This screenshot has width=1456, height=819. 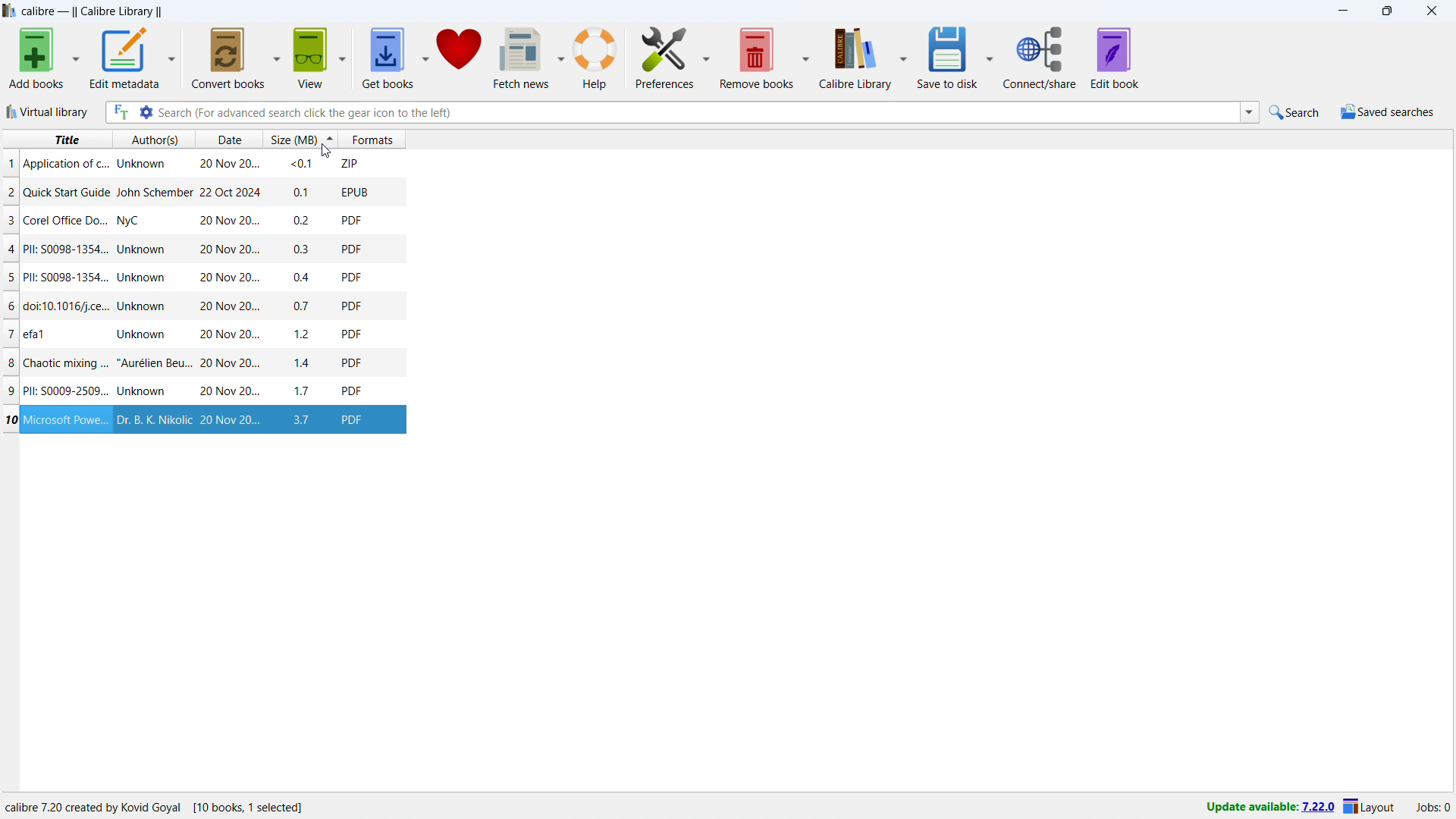 I want to click on date, so click(x=229, y=221).